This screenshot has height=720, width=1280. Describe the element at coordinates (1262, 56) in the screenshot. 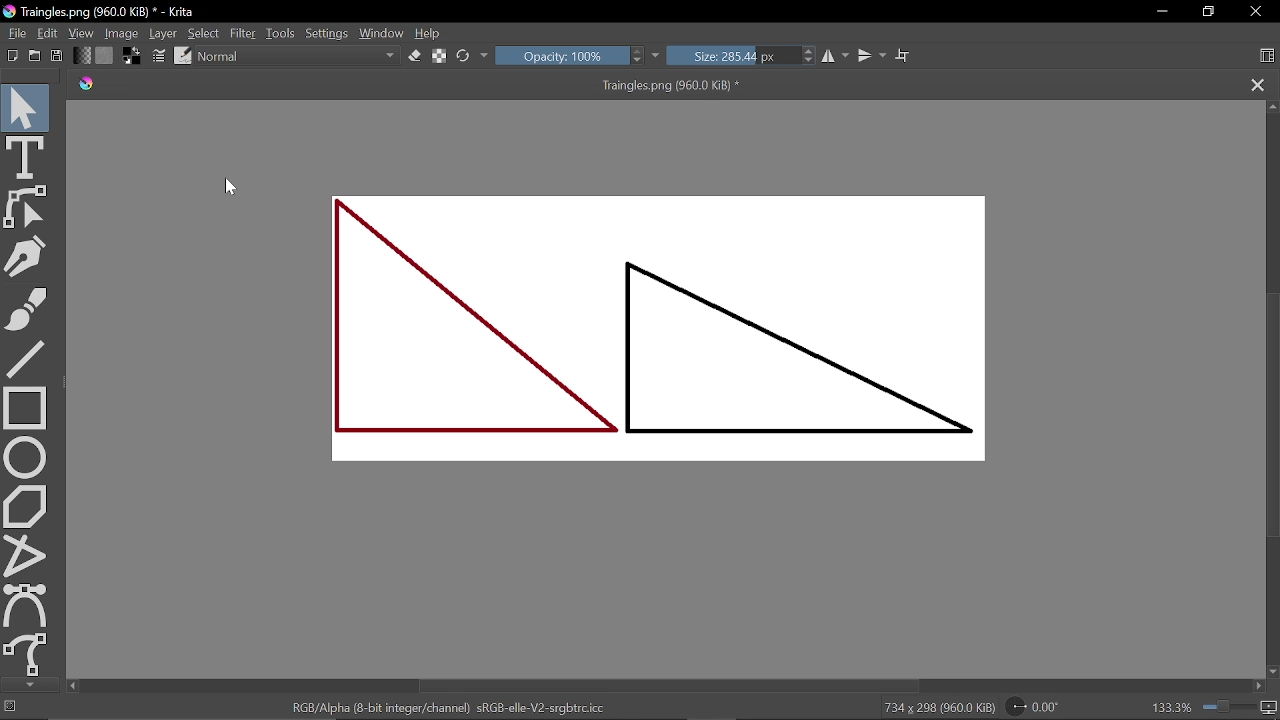

I see `Choose workspace` at that location.